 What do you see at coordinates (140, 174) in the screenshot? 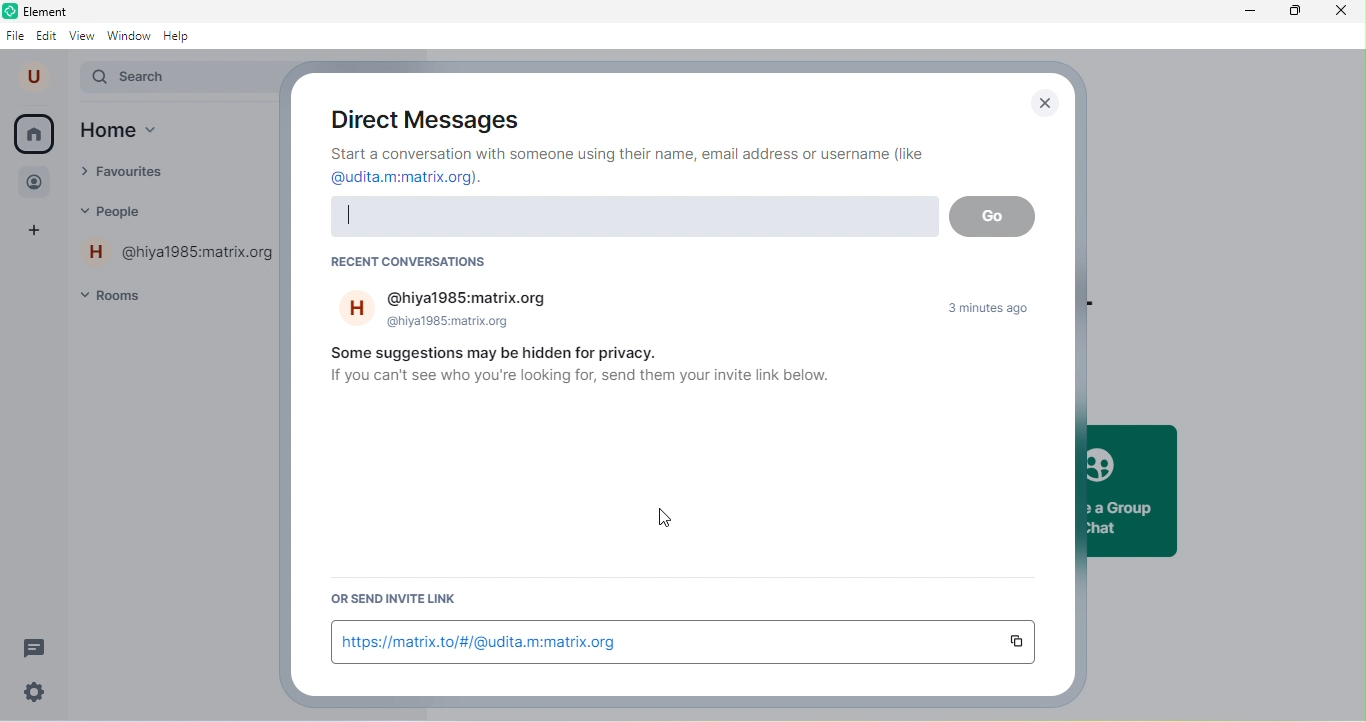
I see `favourites` at bounding box center [140, 174].